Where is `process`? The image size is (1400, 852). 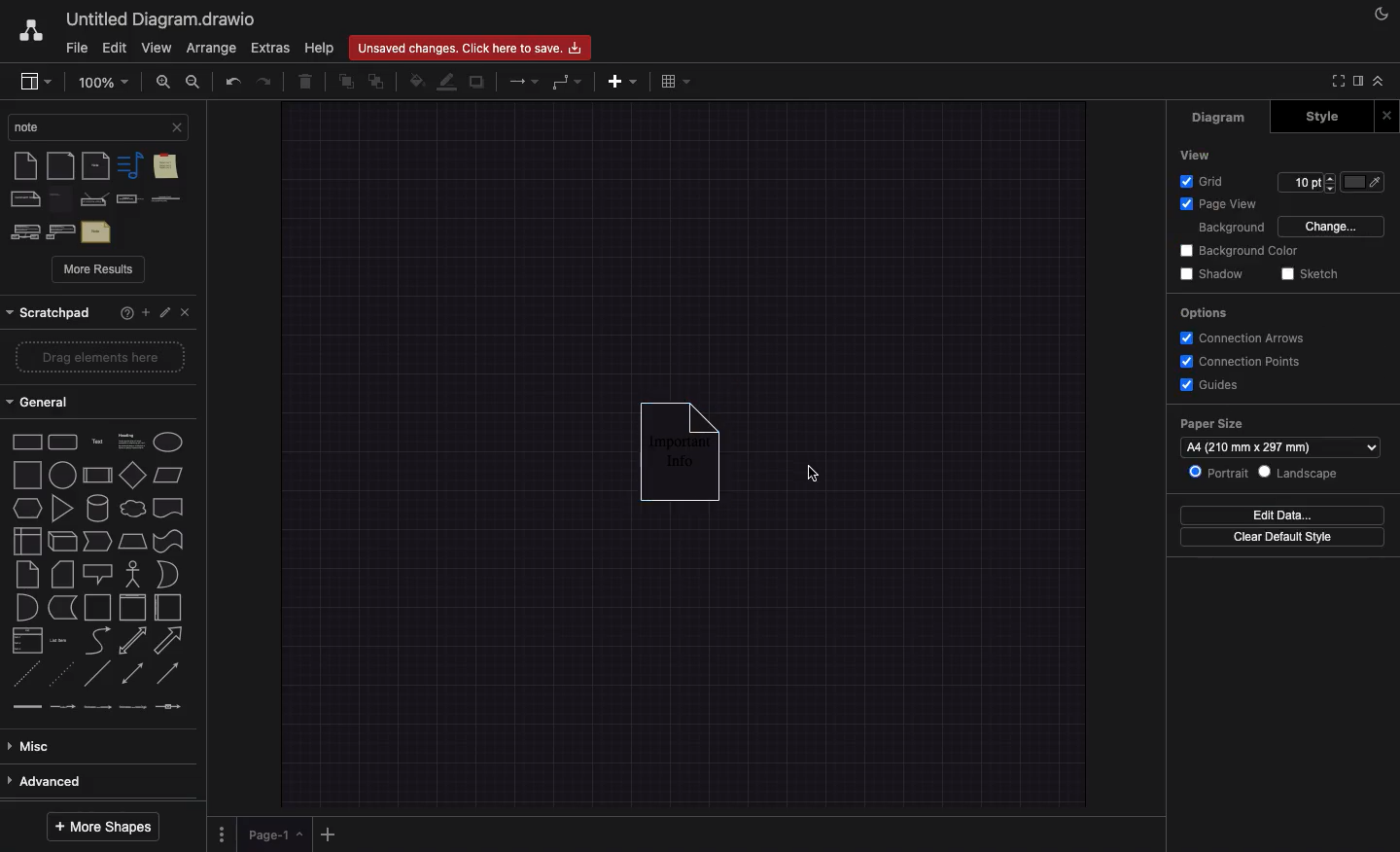
process is located at coordinates (63, 475).